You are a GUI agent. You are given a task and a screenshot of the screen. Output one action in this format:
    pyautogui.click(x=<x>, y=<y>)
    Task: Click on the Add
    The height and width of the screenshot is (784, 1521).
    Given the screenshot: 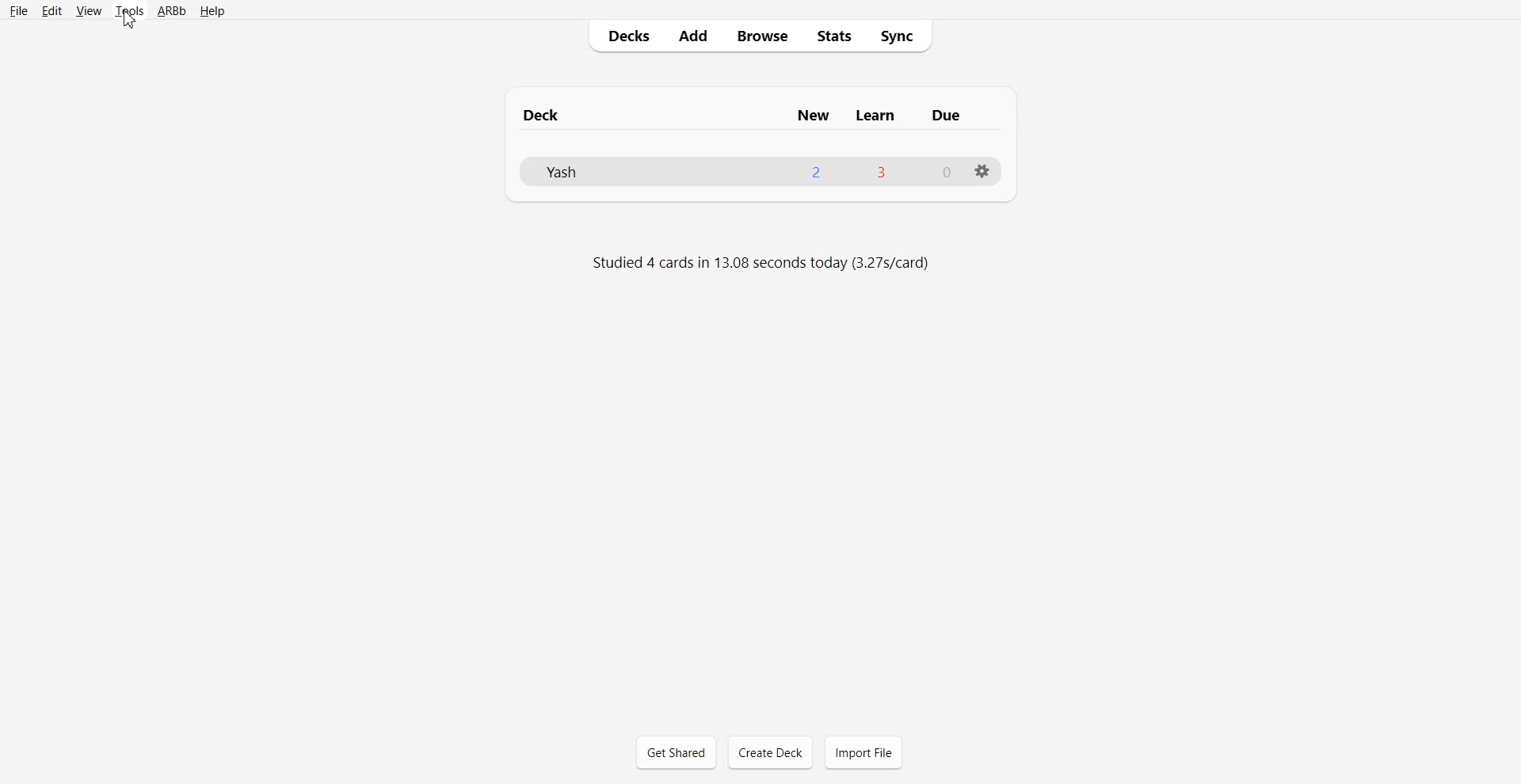 What is the action you would take?
    pyautogui.click(x=692, y=36)
    